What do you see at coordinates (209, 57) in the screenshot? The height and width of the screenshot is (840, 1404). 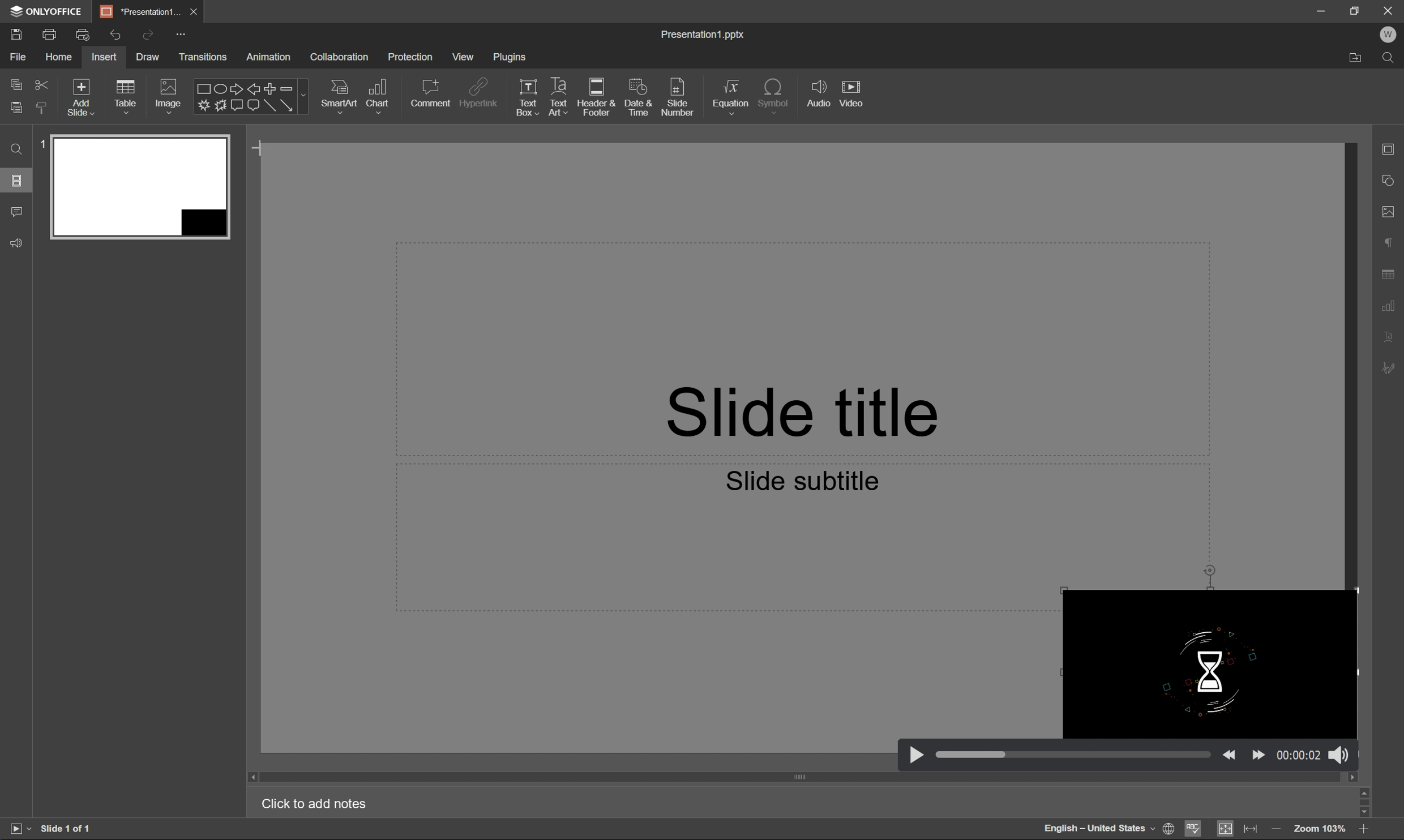 I see `transitions` at bounding box center [209, 57].